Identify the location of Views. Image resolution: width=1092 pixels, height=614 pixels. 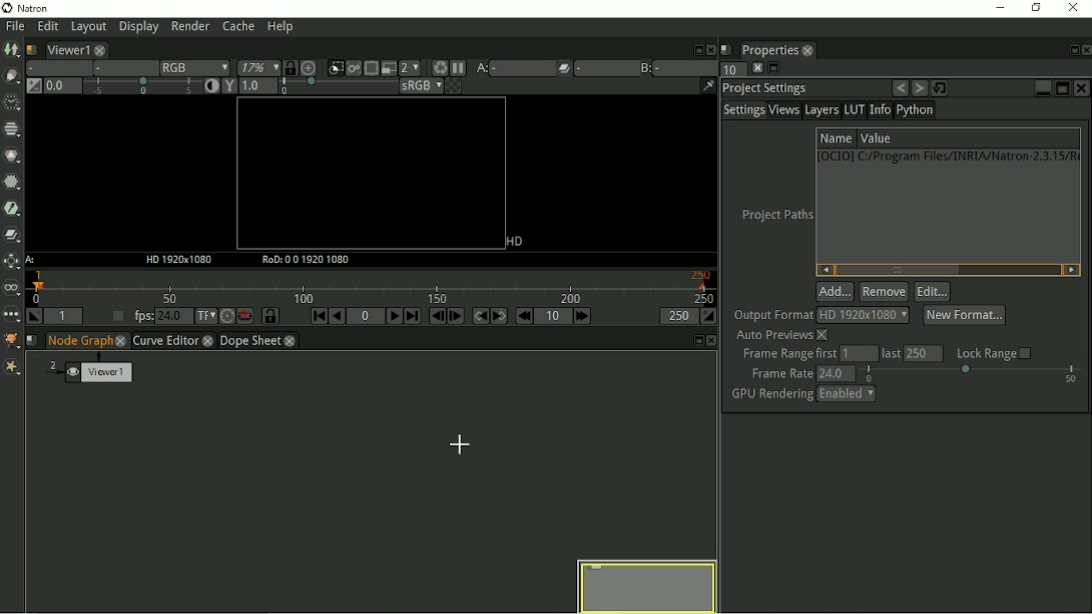
(785, 112).